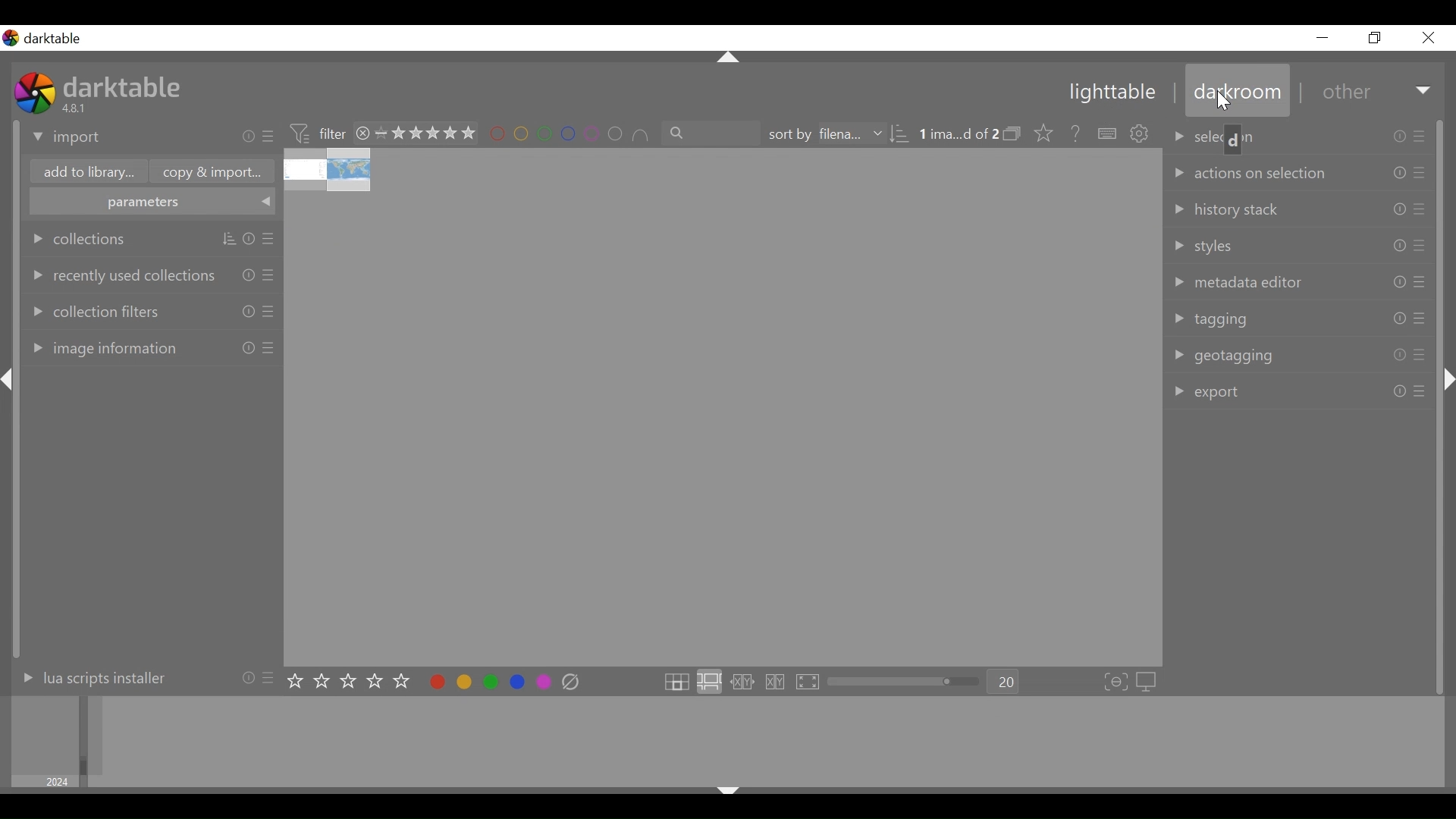 Image resolution: width=1456 pixels, height=819 pixels. I want to click on Close, so click(1429, 37).